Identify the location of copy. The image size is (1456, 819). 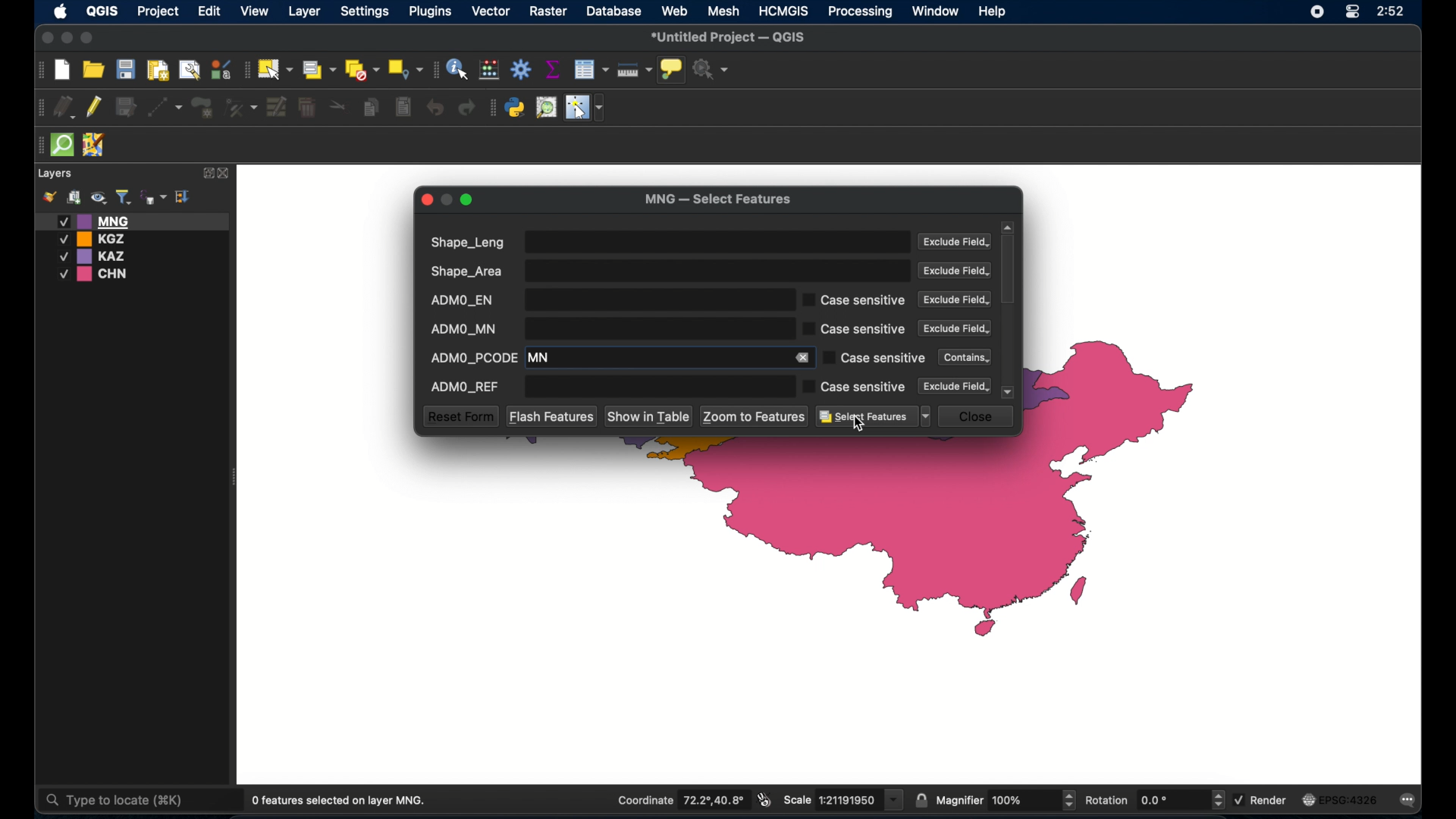
(373, 107).